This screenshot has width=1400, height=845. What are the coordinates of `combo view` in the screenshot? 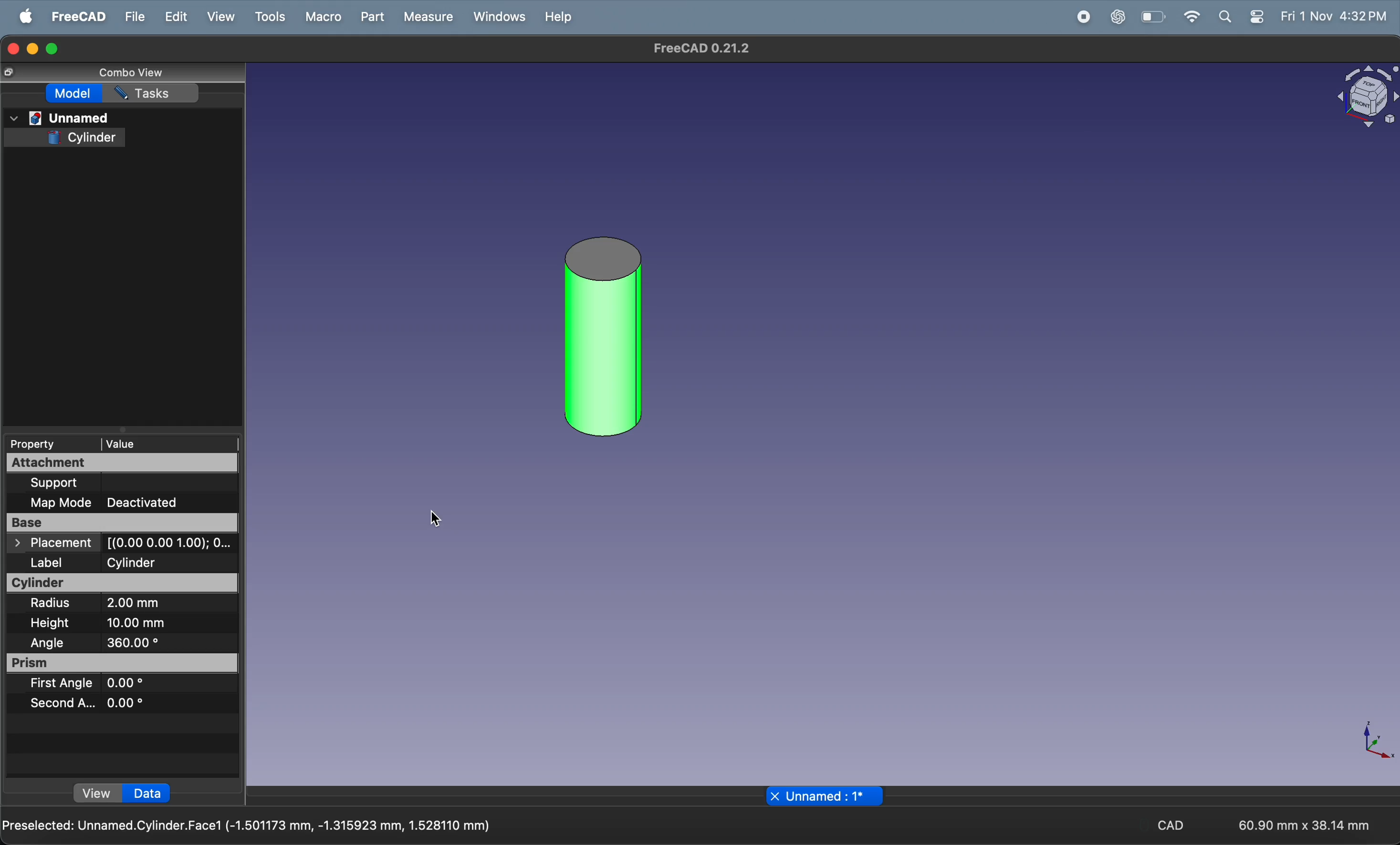 It's located at (132, 74).